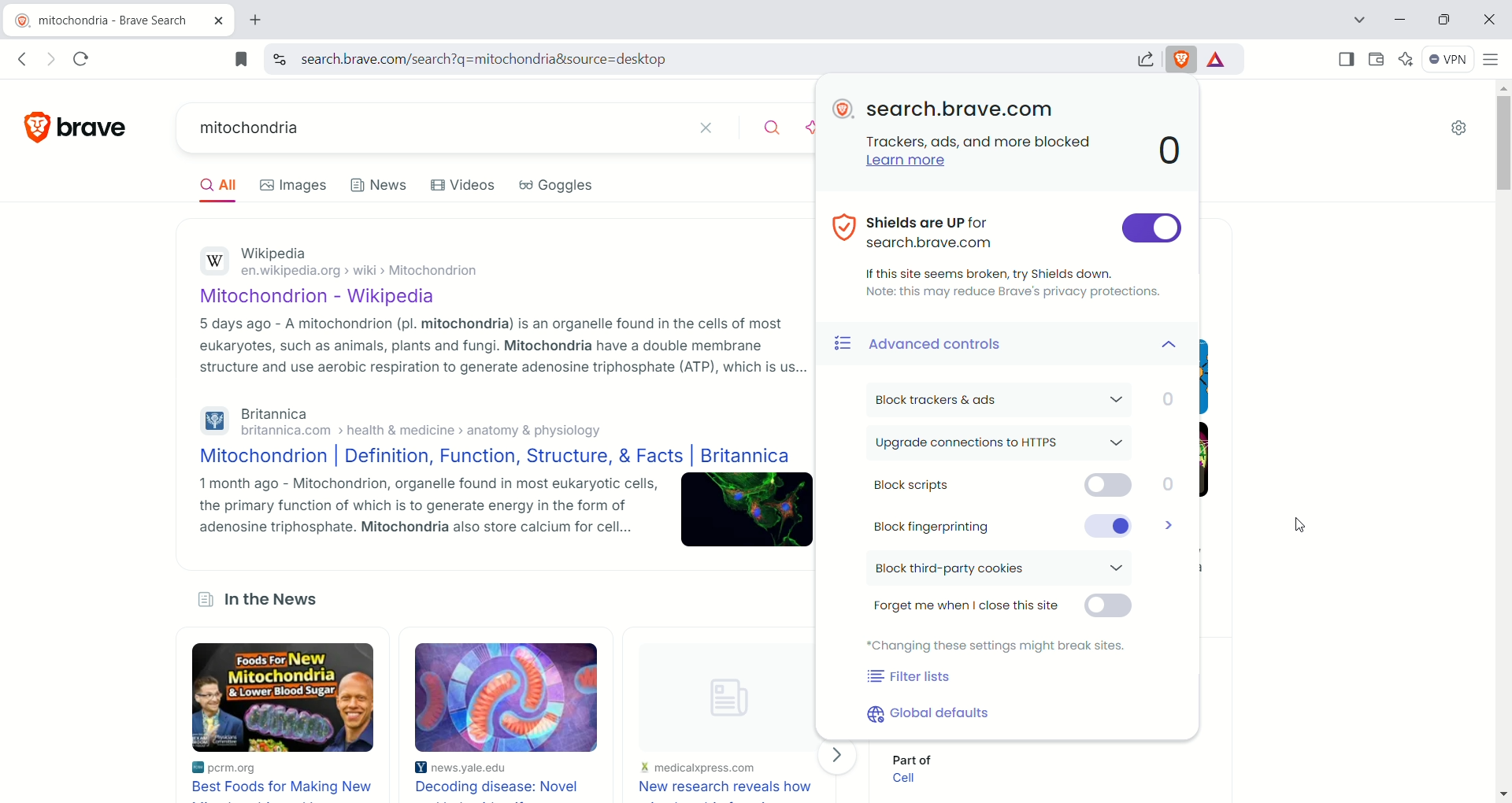  Describe the element at coordinates (1492, 61) in the screenshot. I see `customize and control brave` at that location.